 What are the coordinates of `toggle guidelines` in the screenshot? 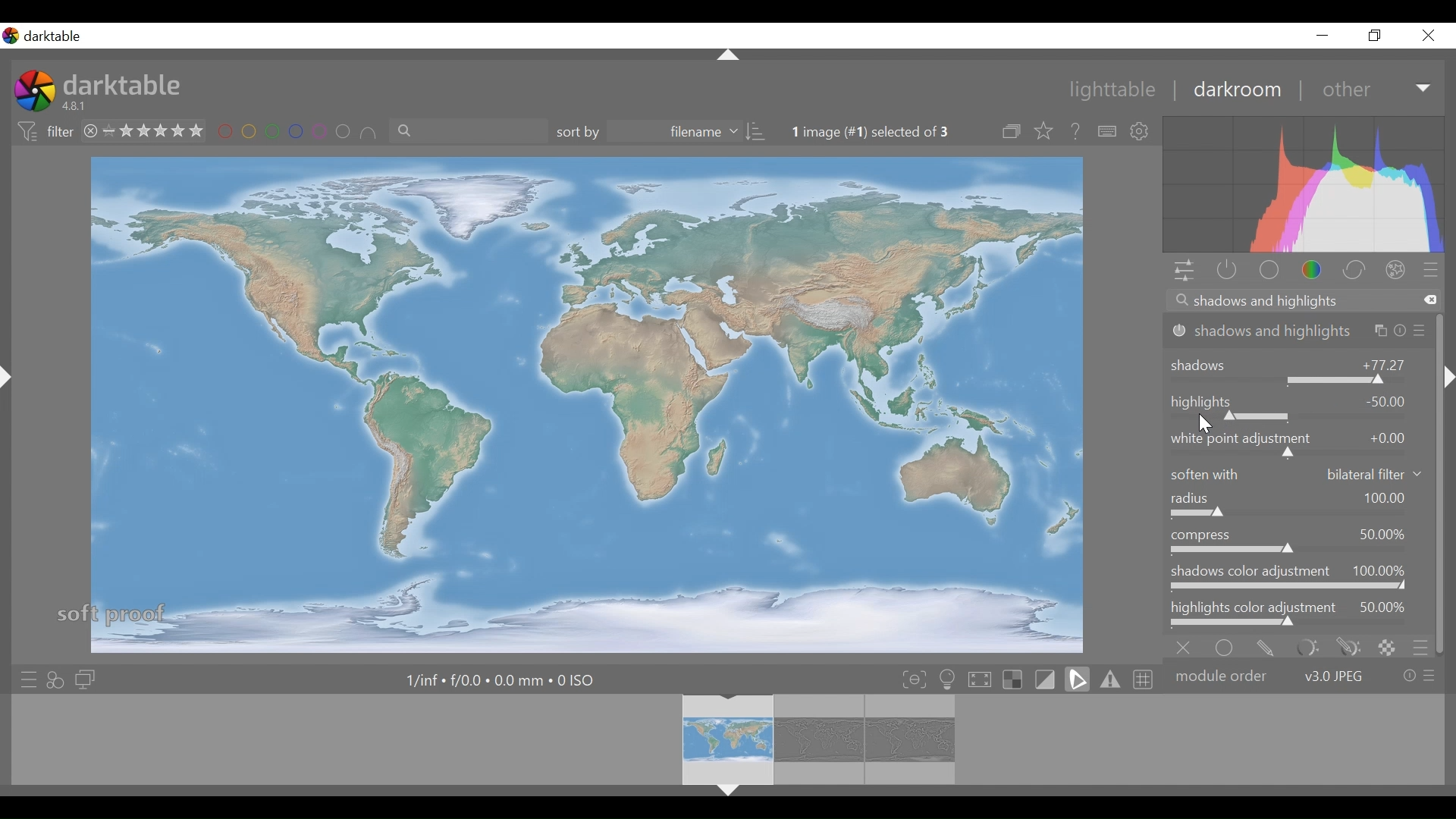 It's located at (1141, 679).